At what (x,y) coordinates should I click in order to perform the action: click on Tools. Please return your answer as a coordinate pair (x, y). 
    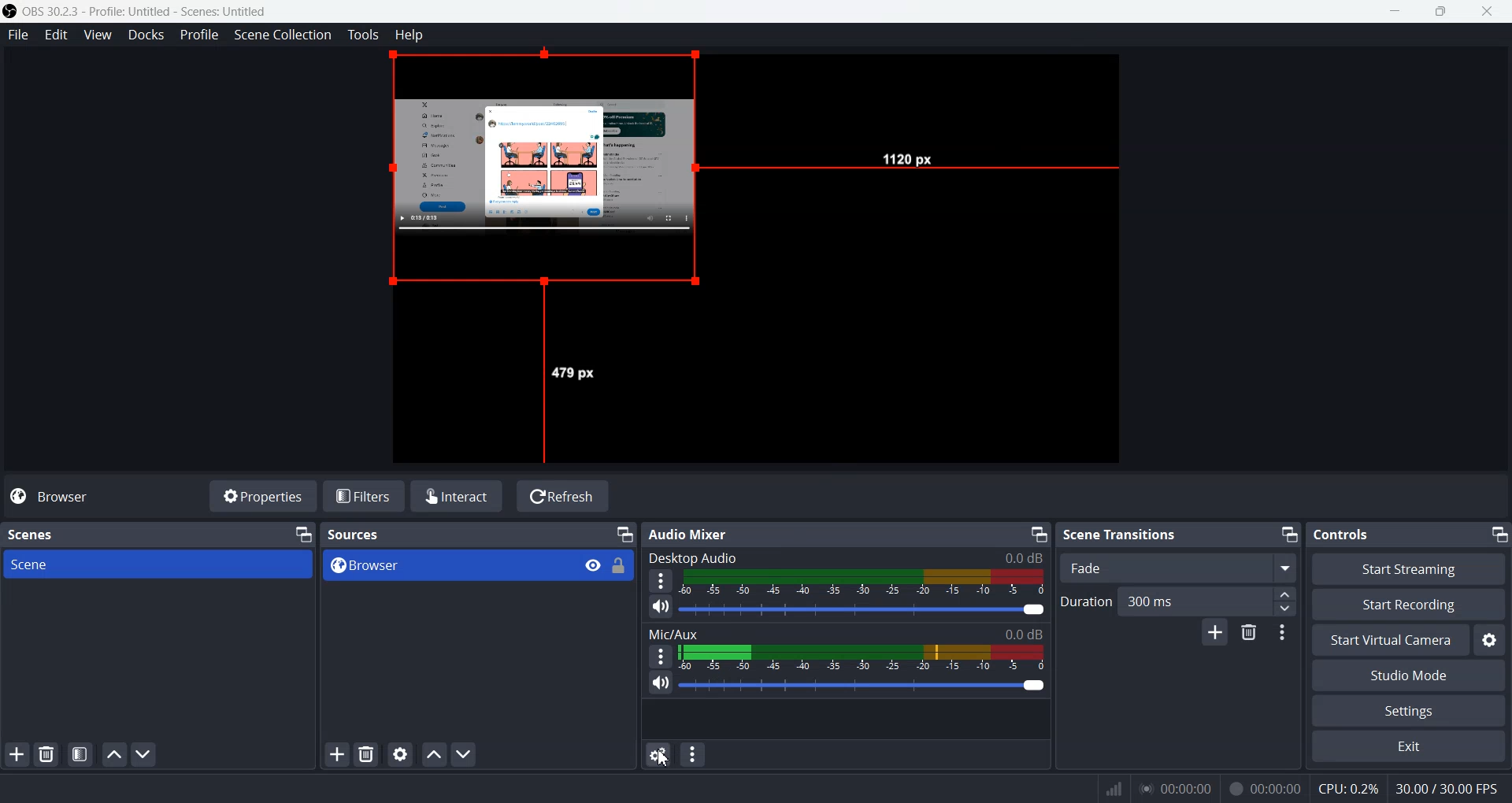
    Looking at the image, I should click on (364, 35).